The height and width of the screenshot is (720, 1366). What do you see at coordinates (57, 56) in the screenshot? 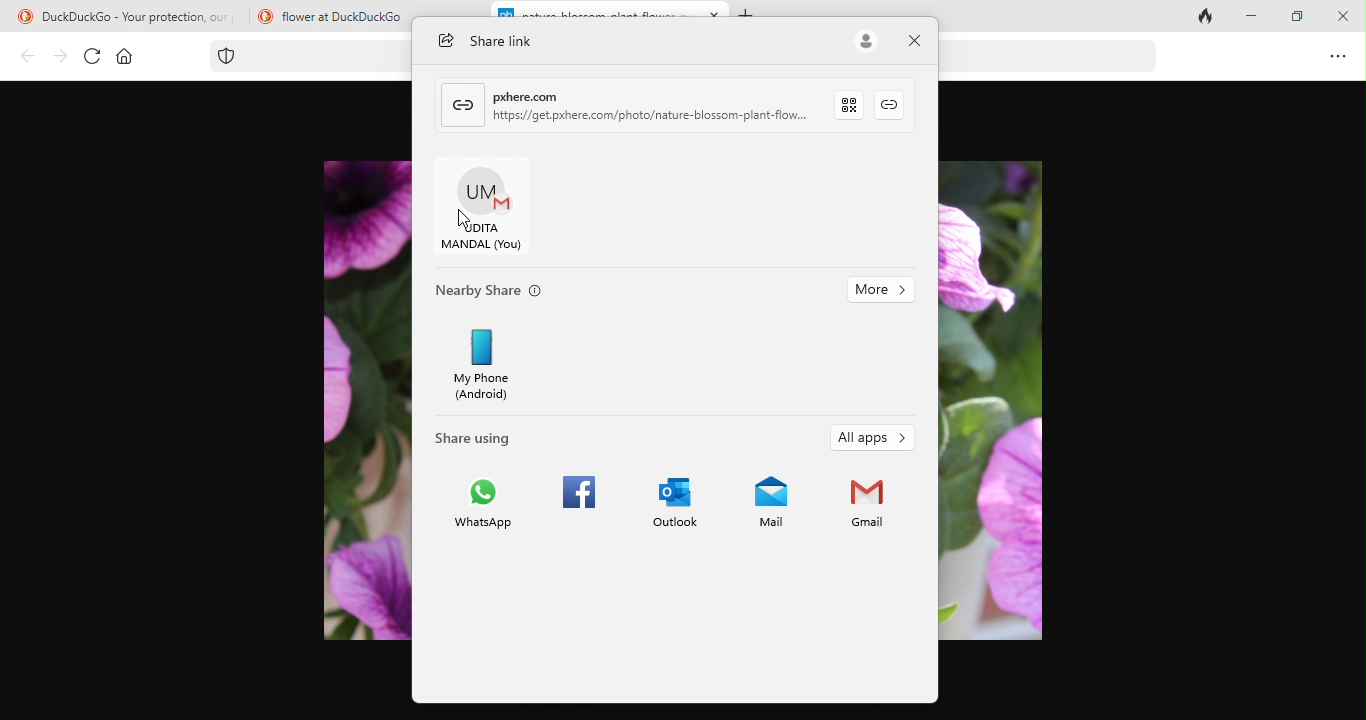
I see `forward` at bounding box center [57, 56].